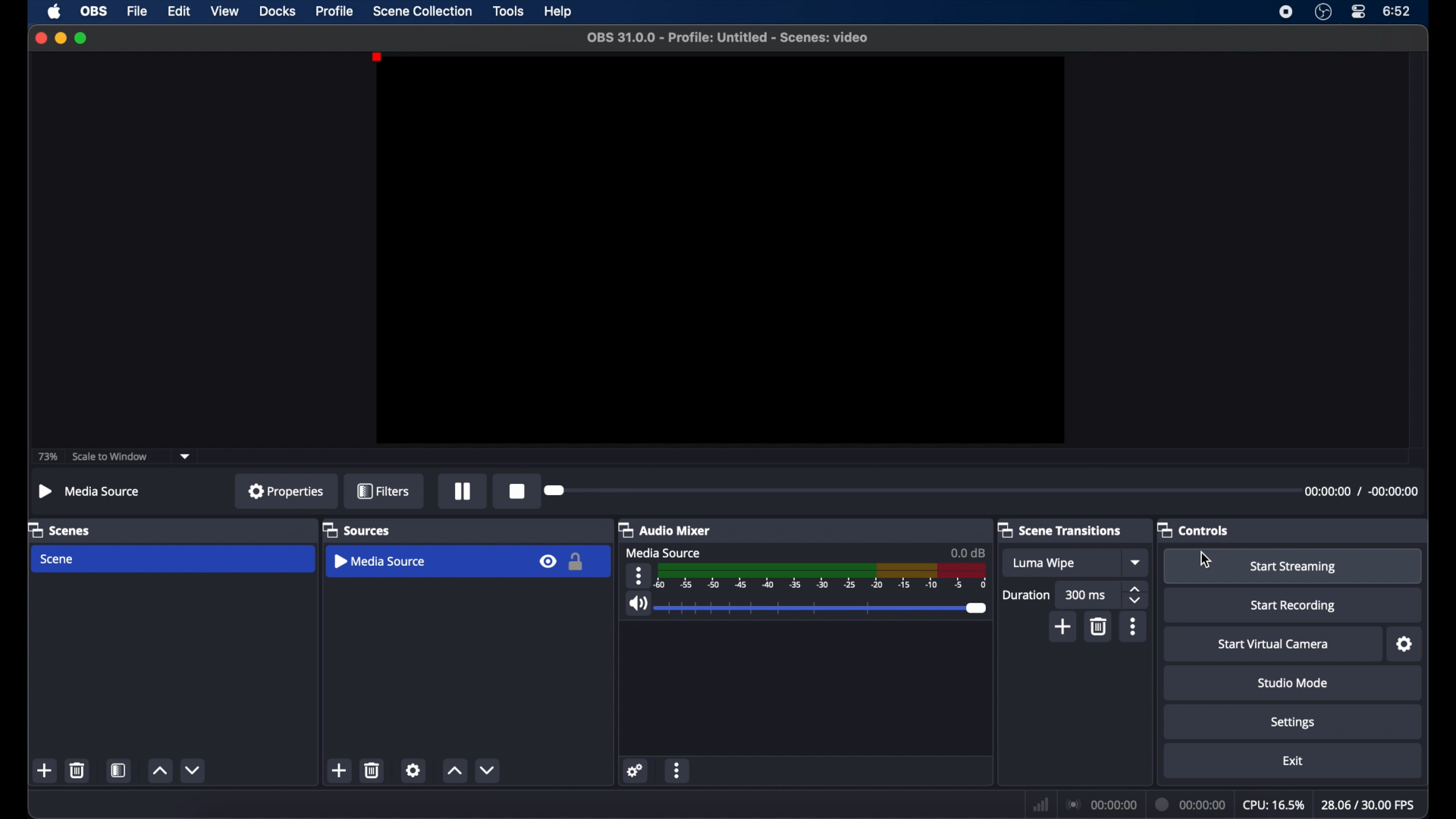 This screenshot has height=819, width=1456. Describe the element at coordinates (453, 770) in the screenshot. I see `increment` at that location.